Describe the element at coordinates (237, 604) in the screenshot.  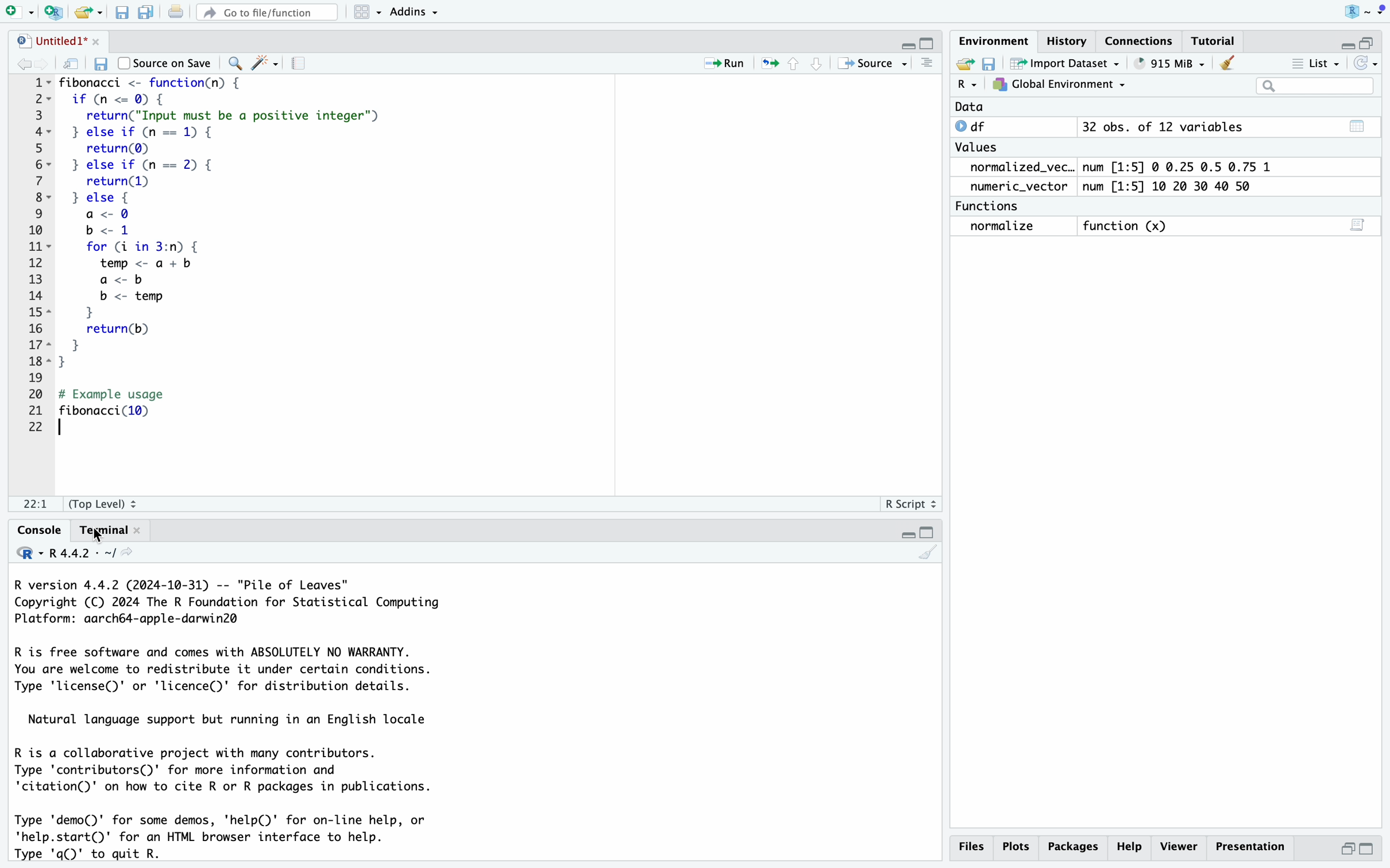
I see `R version 4.4.2 (2024-10-31) -- "Pile of Leaves"
Copyright (C) 2024 The R Foundation for Statistical Computing
Platform: aarch64-apple-darwin2@` at that location.